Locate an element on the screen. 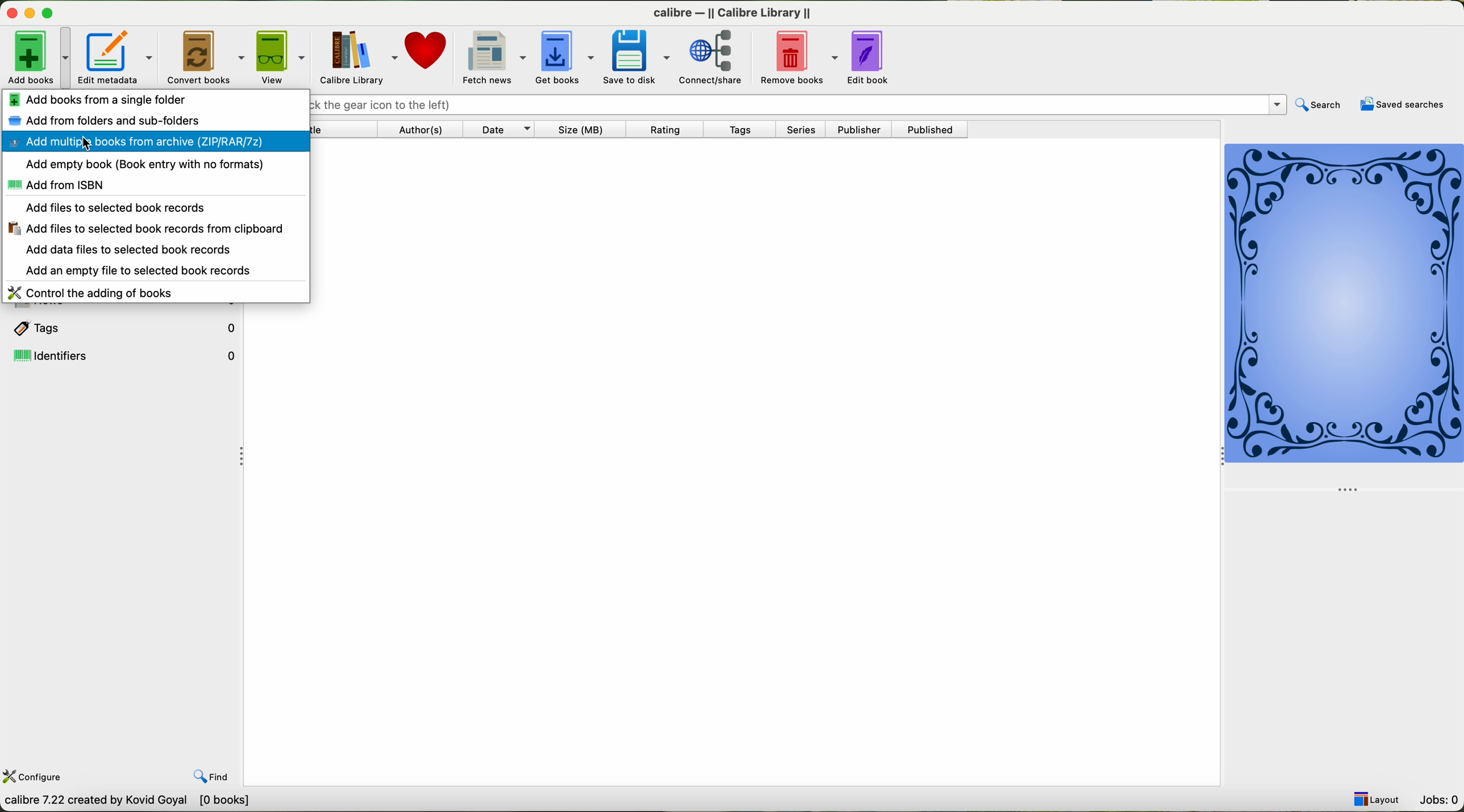 This screenshot has width=1464, height=812. add files to is located at coordinates (143, 229).